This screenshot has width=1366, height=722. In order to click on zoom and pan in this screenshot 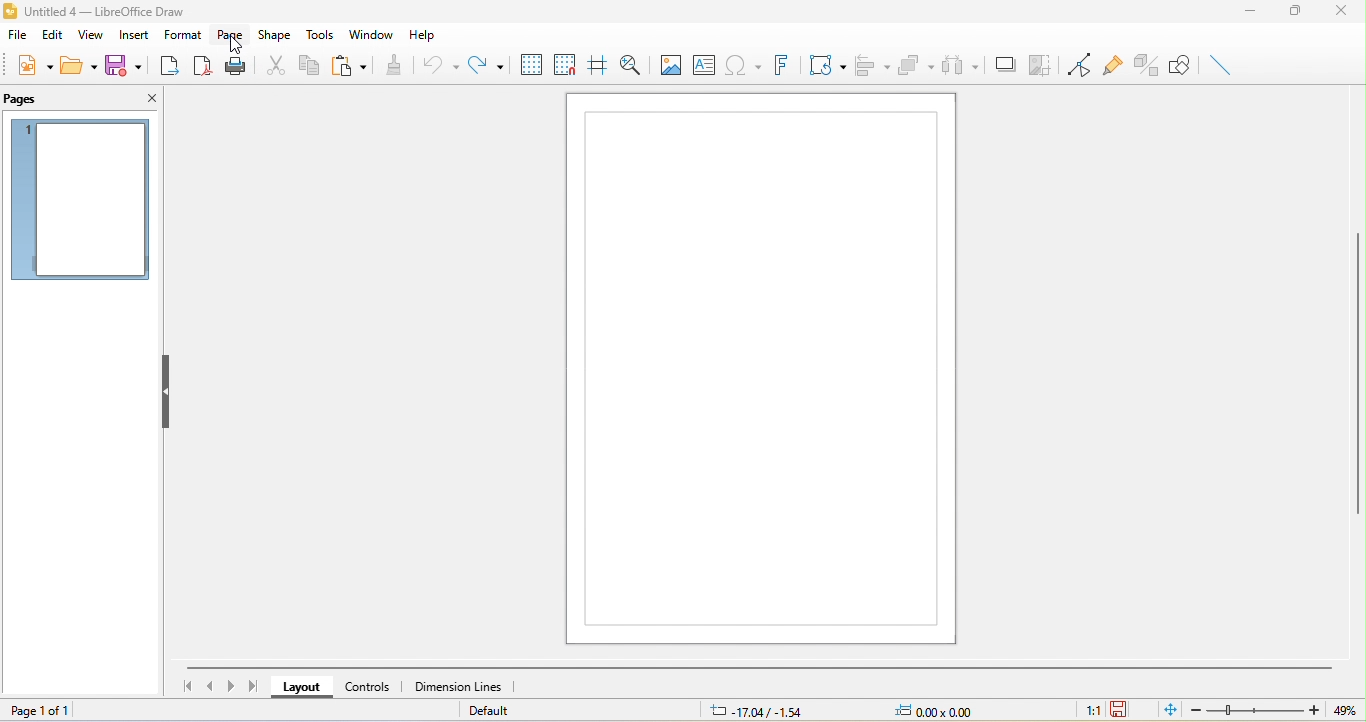, I will do `click(631, 64)`.